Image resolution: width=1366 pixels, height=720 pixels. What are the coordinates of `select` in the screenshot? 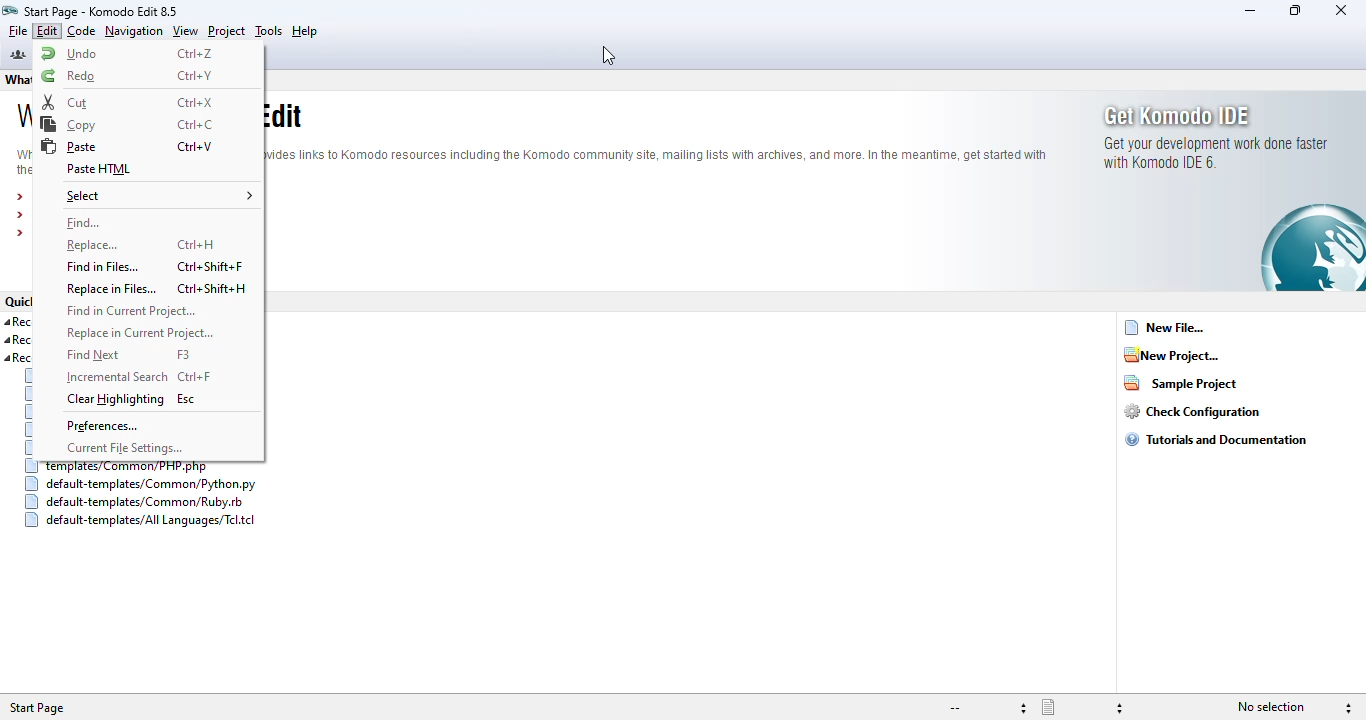 It's located at (160, 195).